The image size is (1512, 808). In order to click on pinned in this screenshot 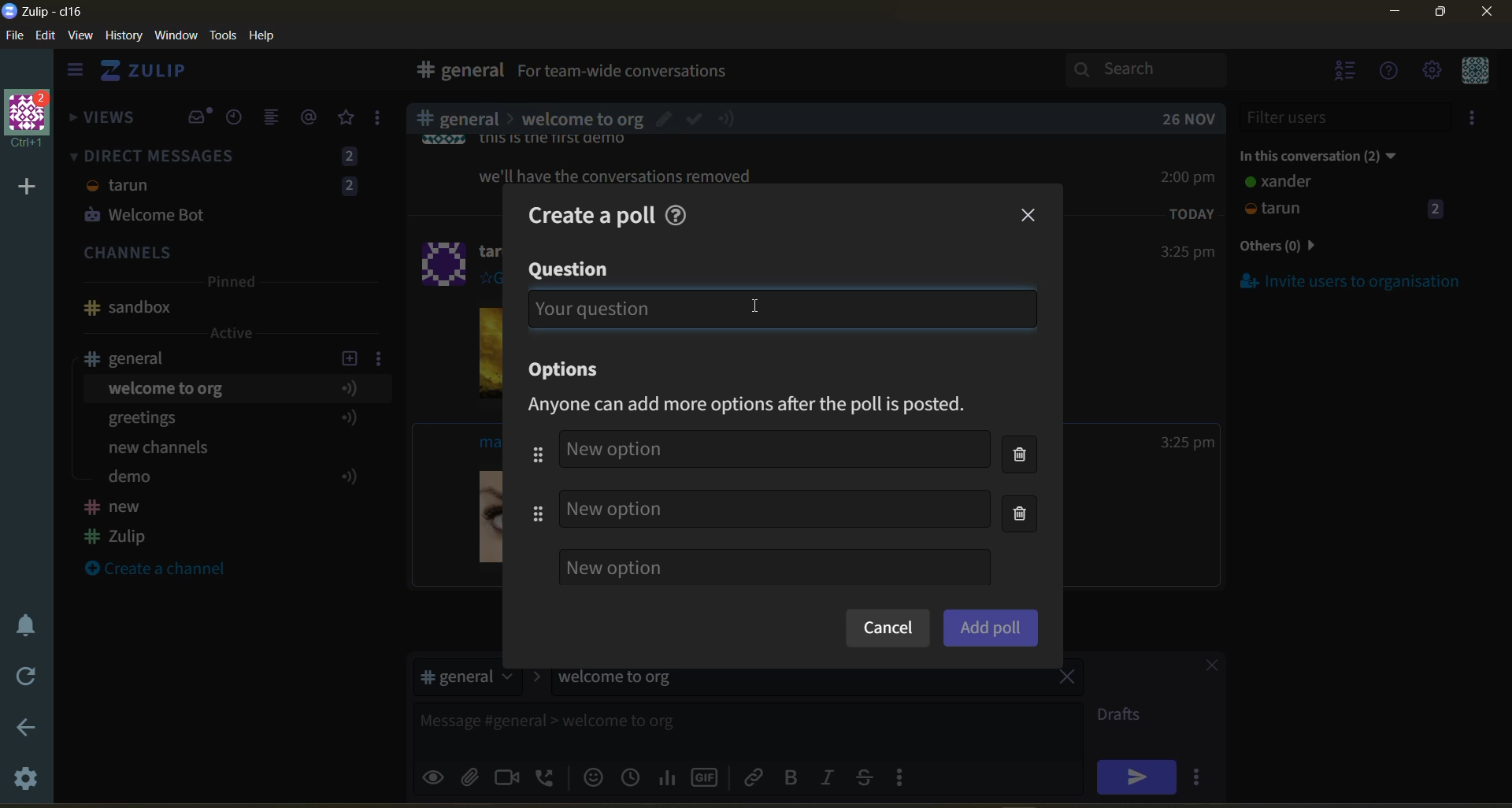, I will do `click(230, 284)`.